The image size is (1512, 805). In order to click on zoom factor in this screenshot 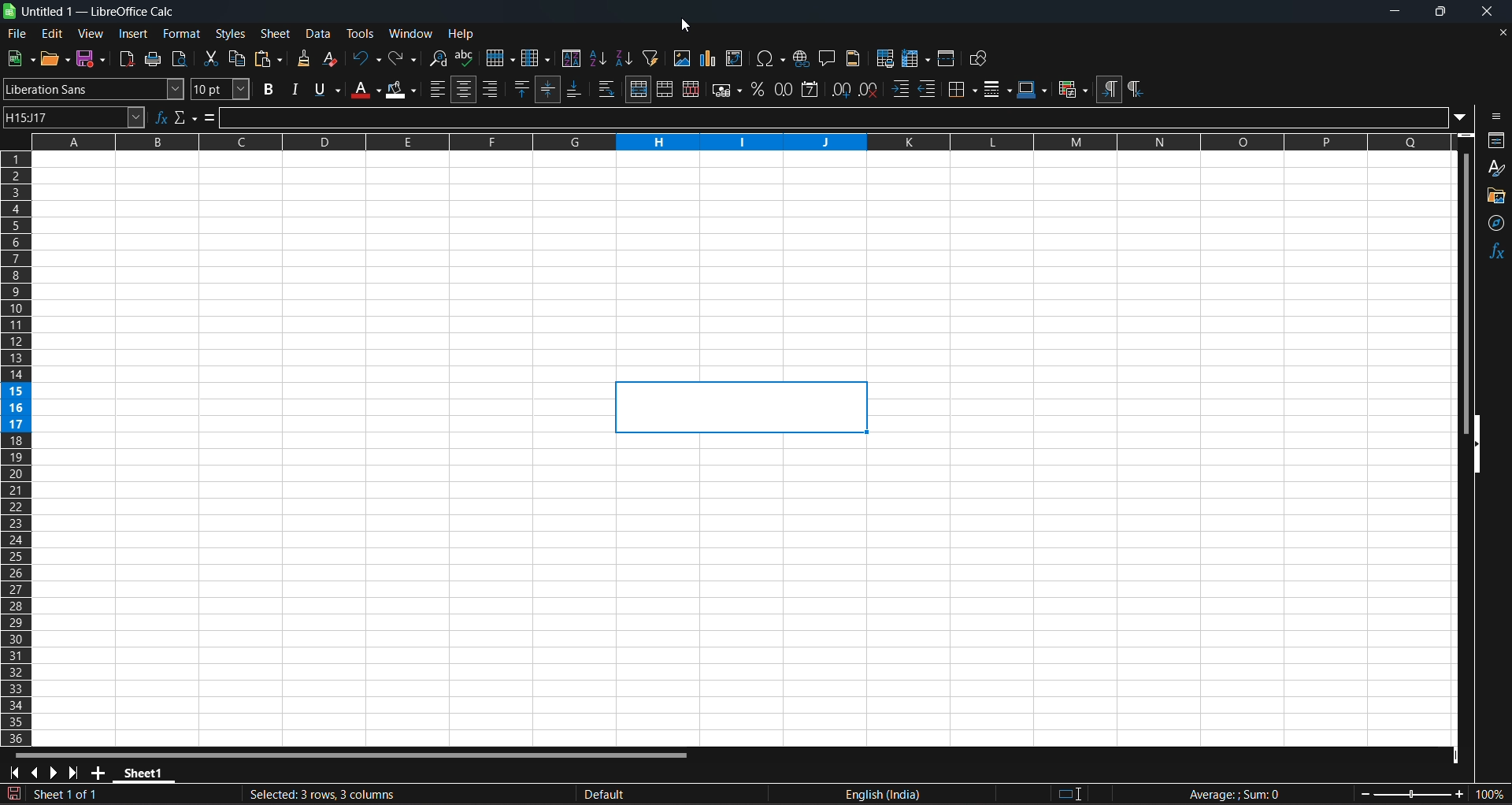, I will do `click(1431, 796)`.